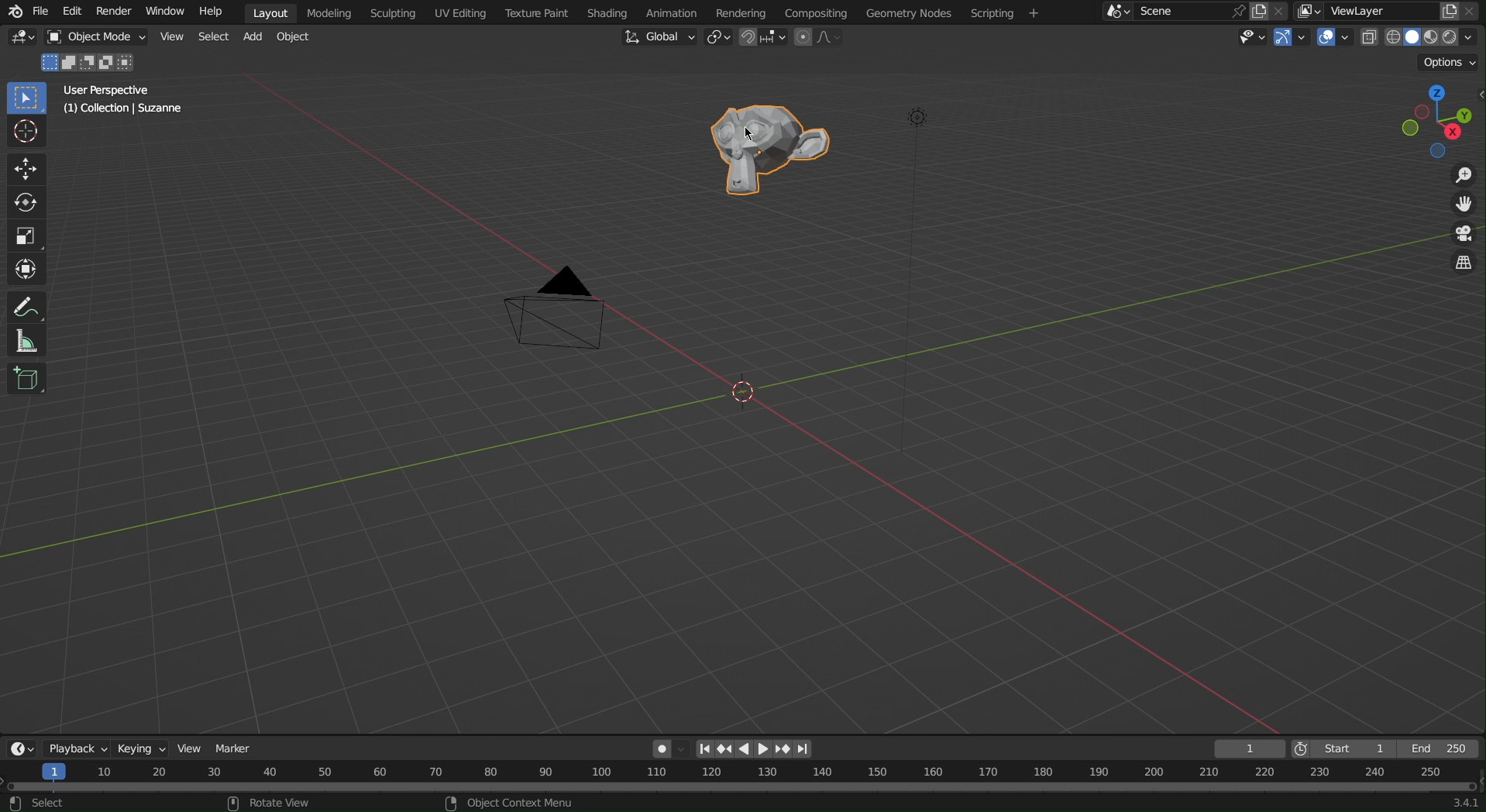 Image resolution: width=1486 pixels, height=812 pixels. What do you see at coordinates (1259, 12) in the screenshot?
I see `files` at bounding box center [1259, 12].